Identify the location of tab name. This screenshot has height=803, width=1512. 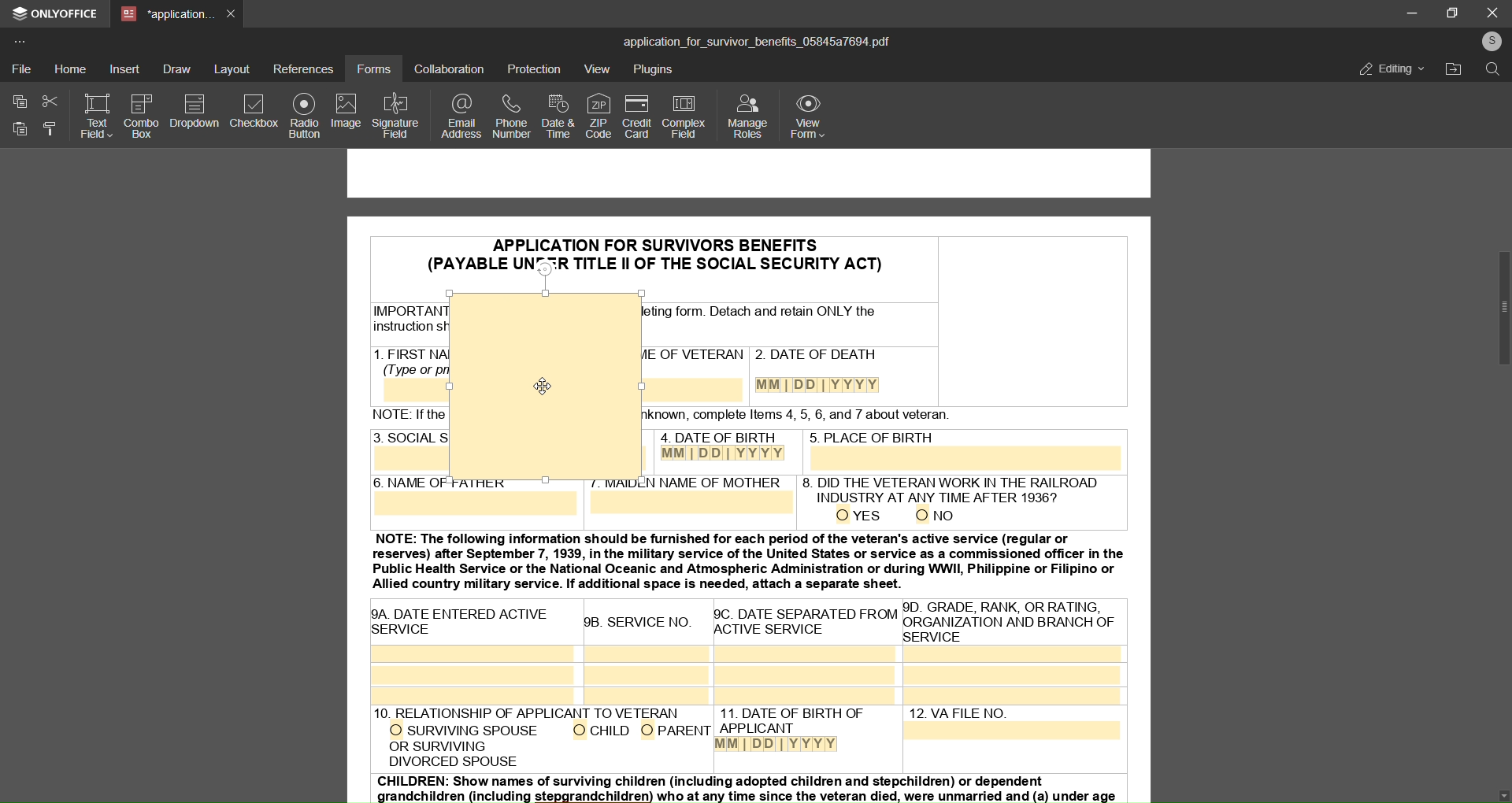
(166, 15).